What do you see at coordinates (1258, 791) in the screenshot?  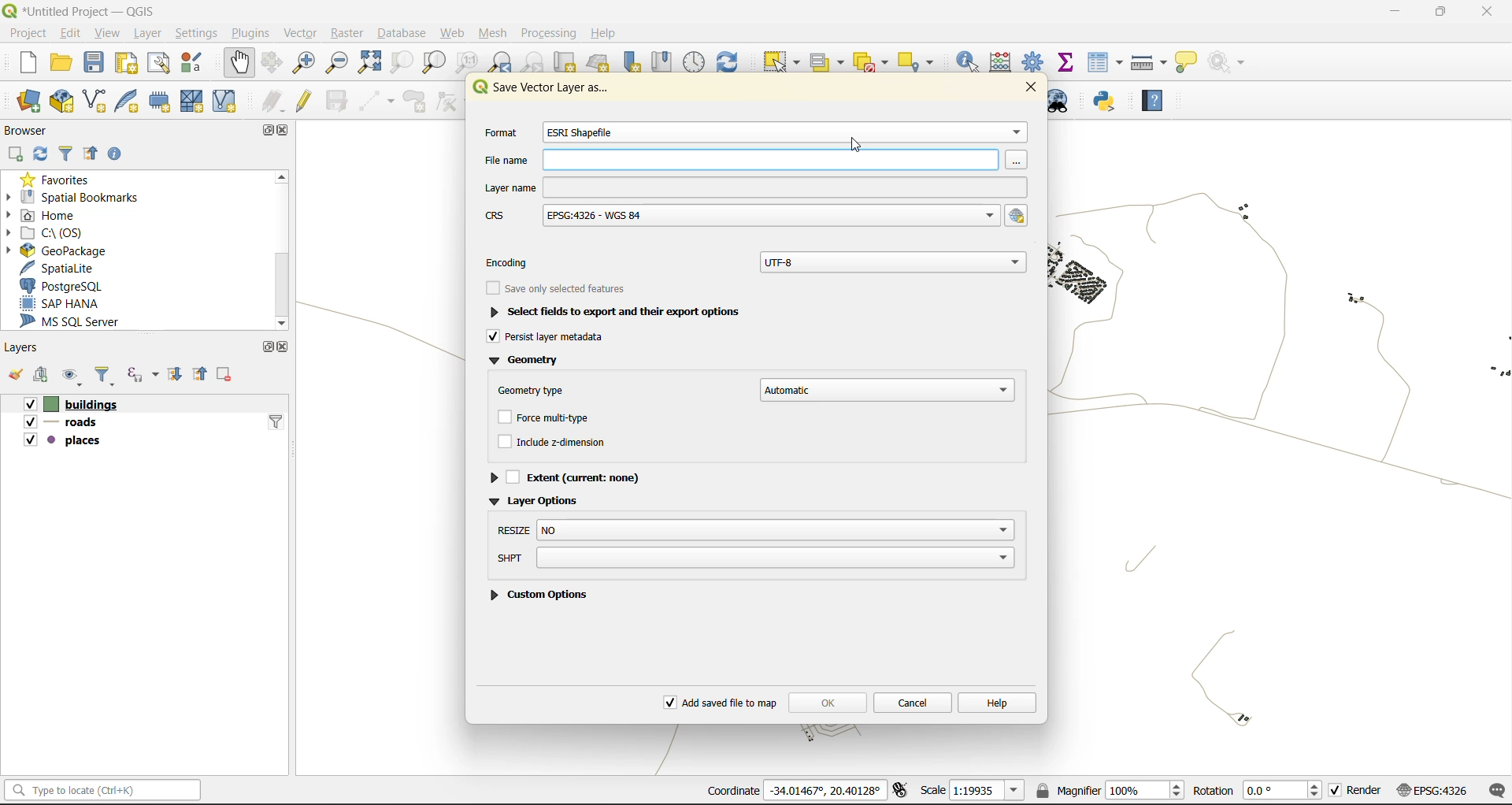 I see `rotation` at bounding box center [1258, 791].